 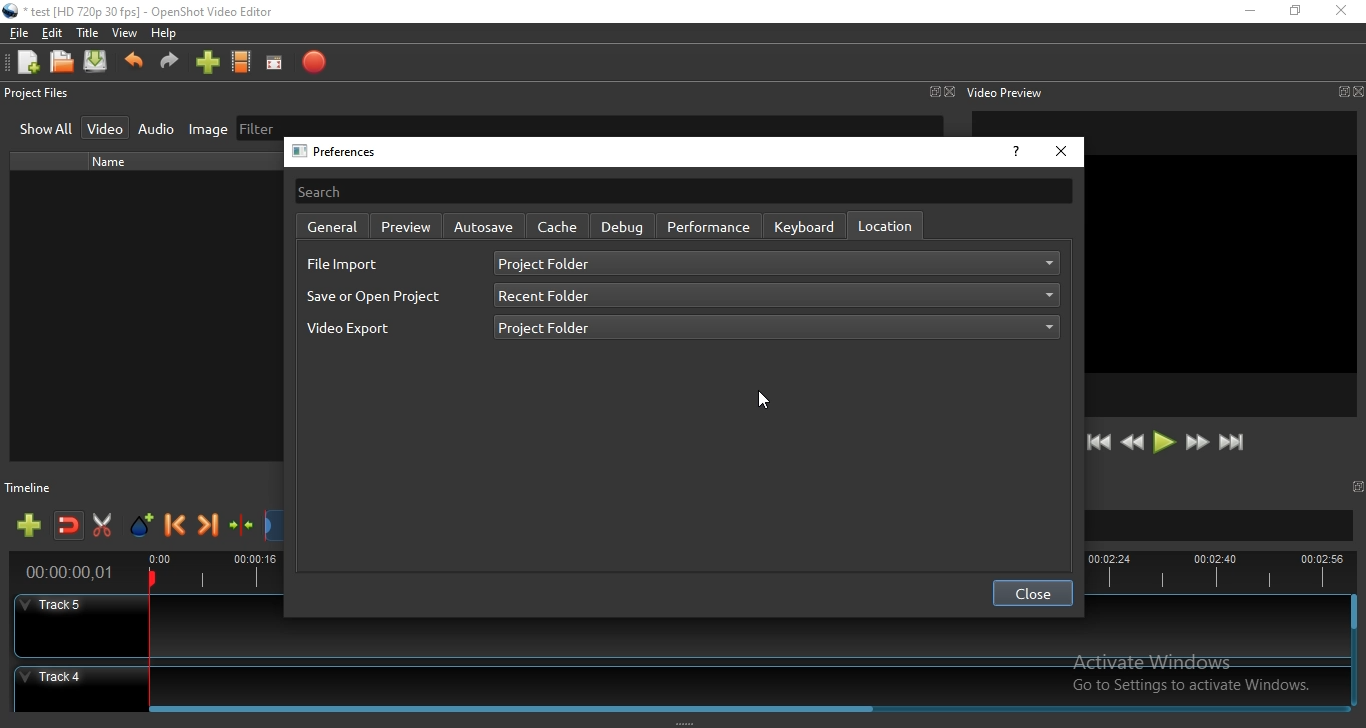 What do you see at coordinates (1360, 486) in the screenshot?
I see `window` at bounding box center [1360, 486].